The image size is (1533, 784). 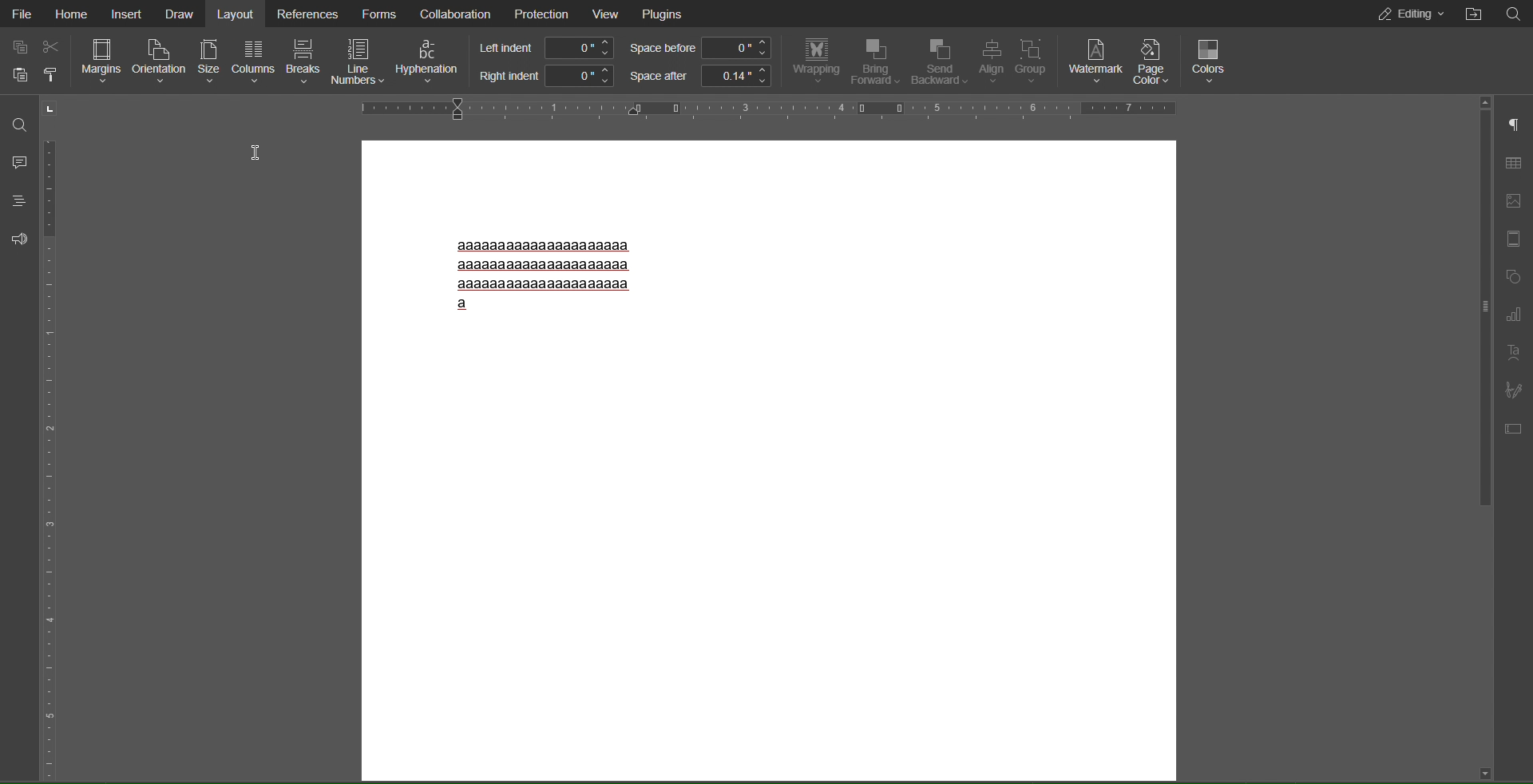 What do you see at coordinates (665, 14) in the screenshot?
I see `Plugins` at bounding box center [665, 14].